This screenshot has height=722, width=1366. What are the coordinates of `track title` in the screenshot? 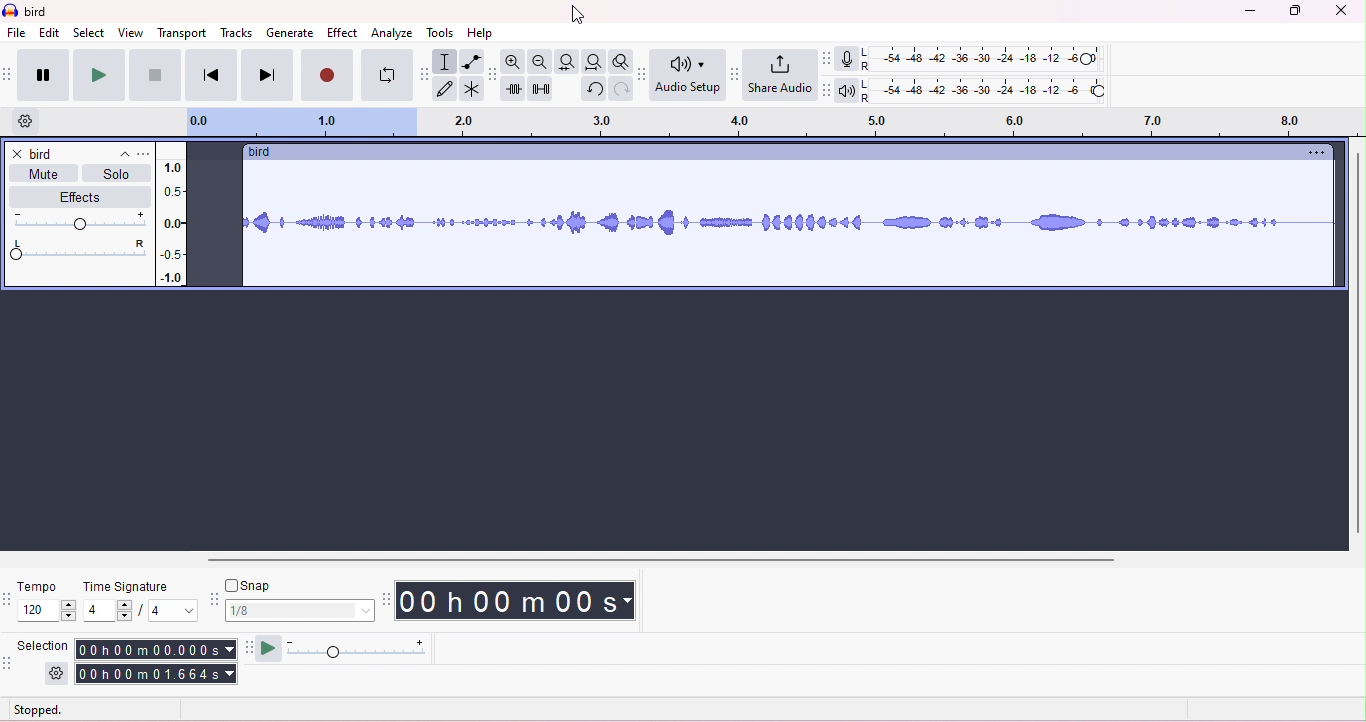 It's located at (80, 154).